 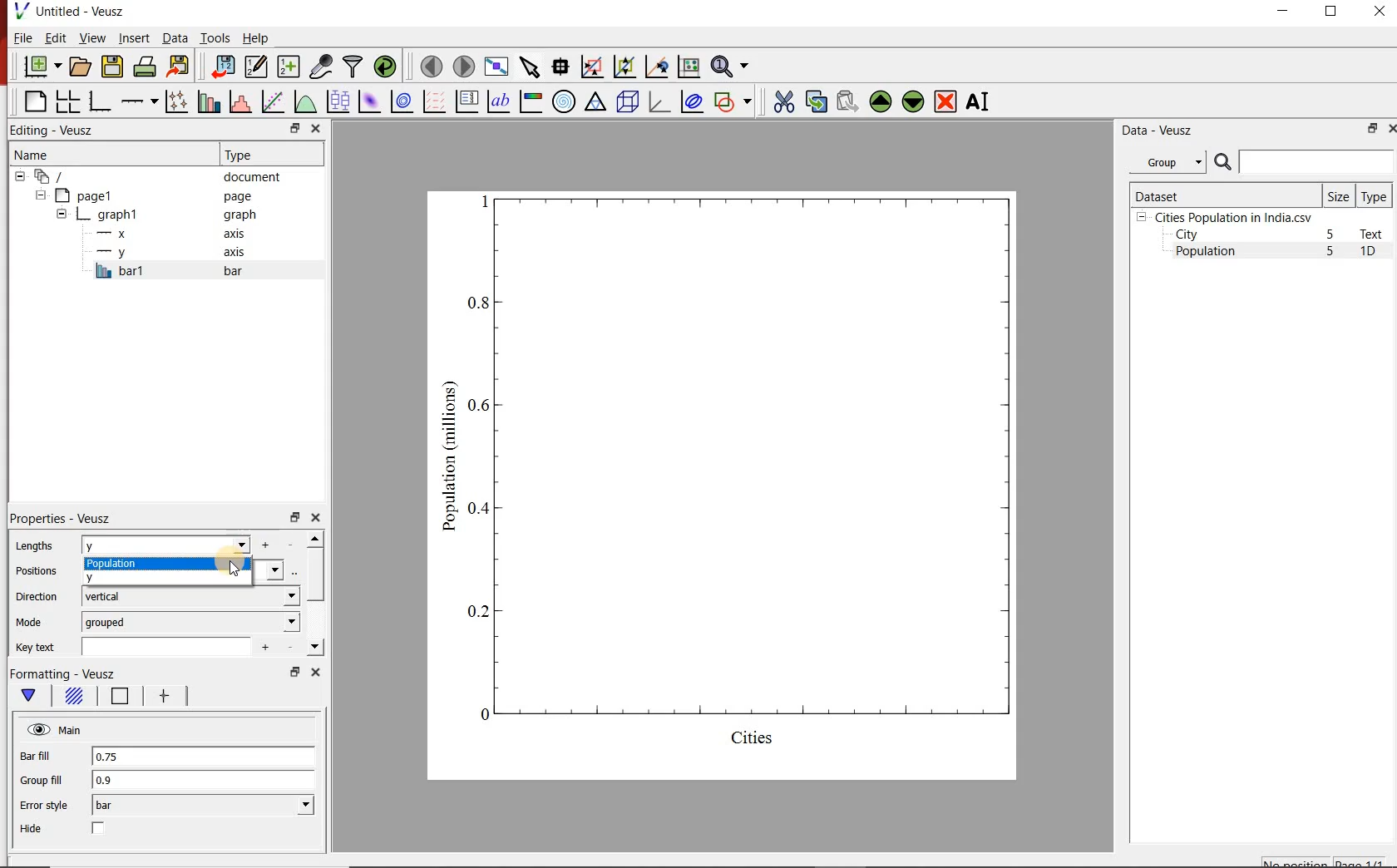 What do you see at coordinates (39, 67) in the screenshot?
I see `new document` at bounding box center [39, 67].